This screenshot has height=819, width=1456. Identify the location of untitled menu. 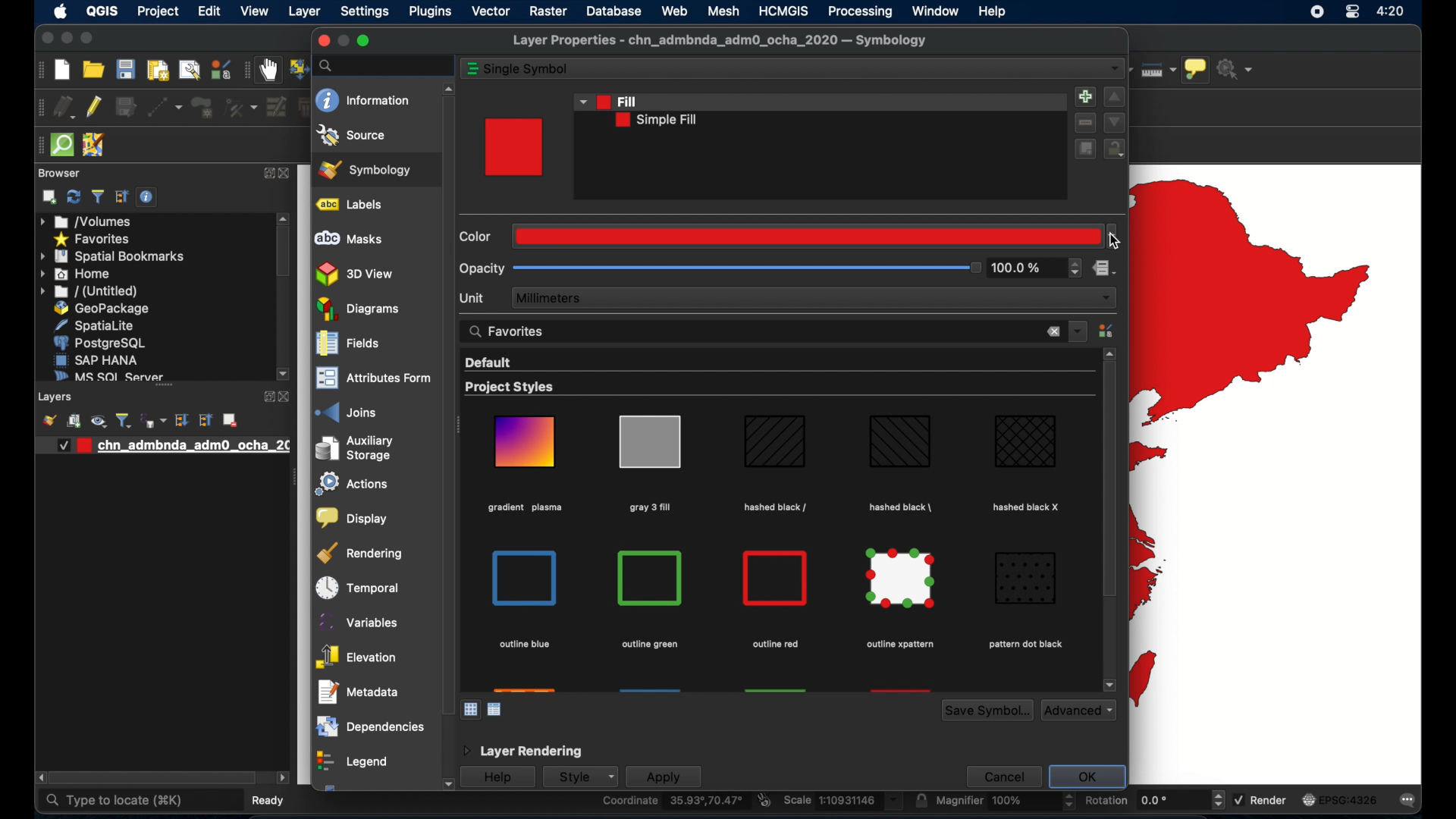
(87, 291).